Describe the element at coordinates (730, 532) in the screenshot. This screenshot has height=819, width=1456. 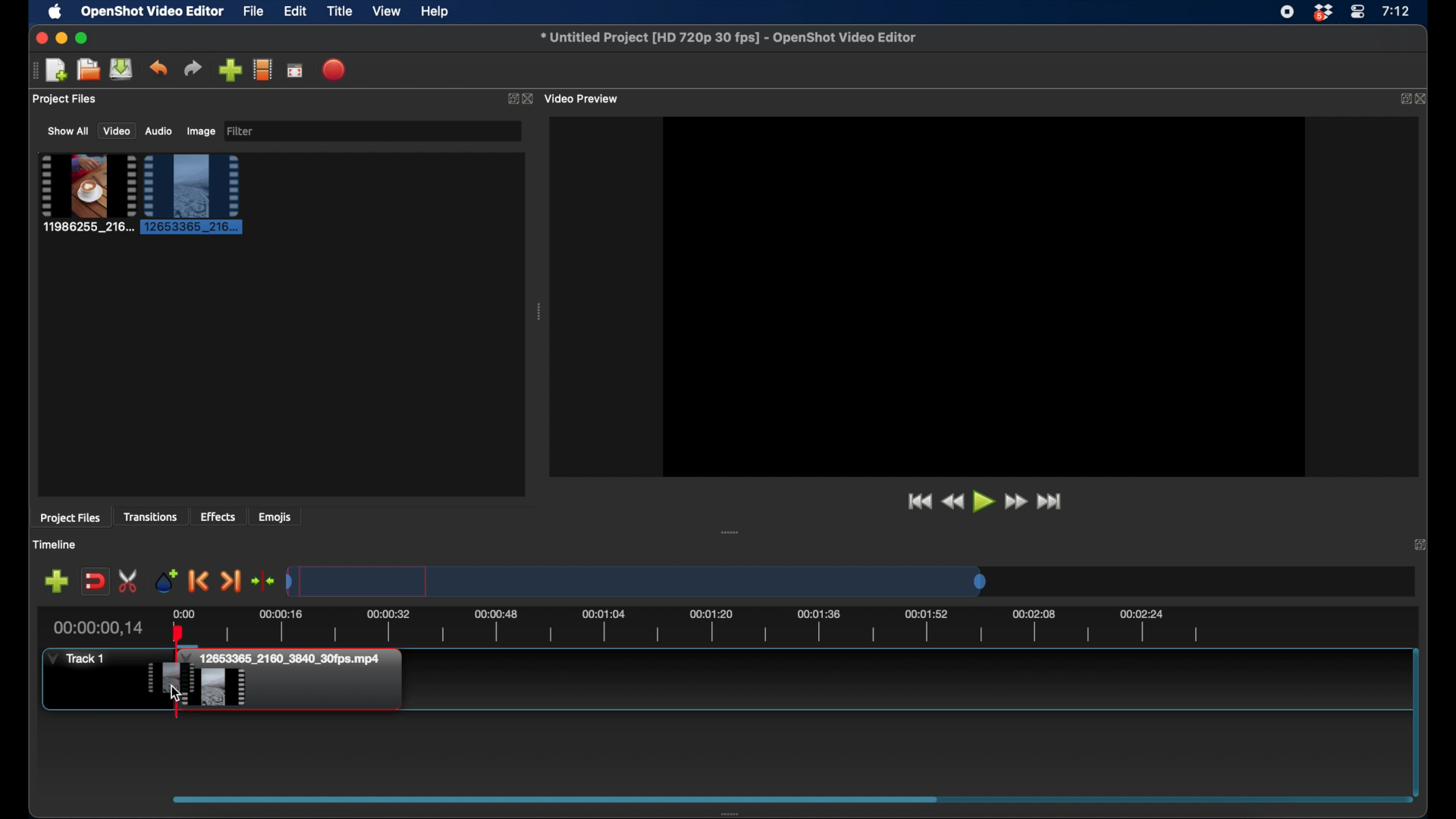
I see `drag handle` at that location.